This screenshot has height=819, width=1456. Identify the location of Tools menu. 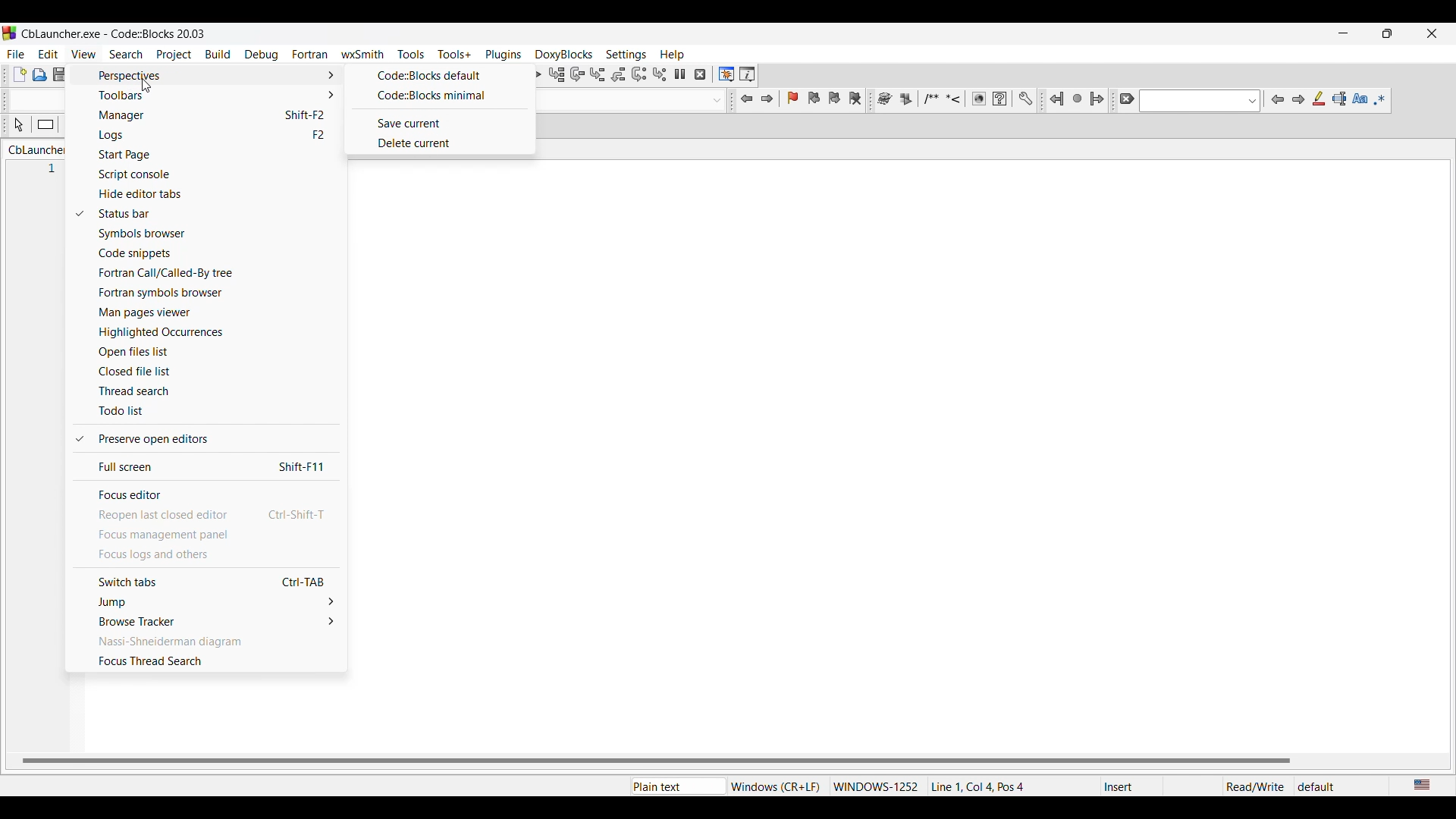
(411, 54).